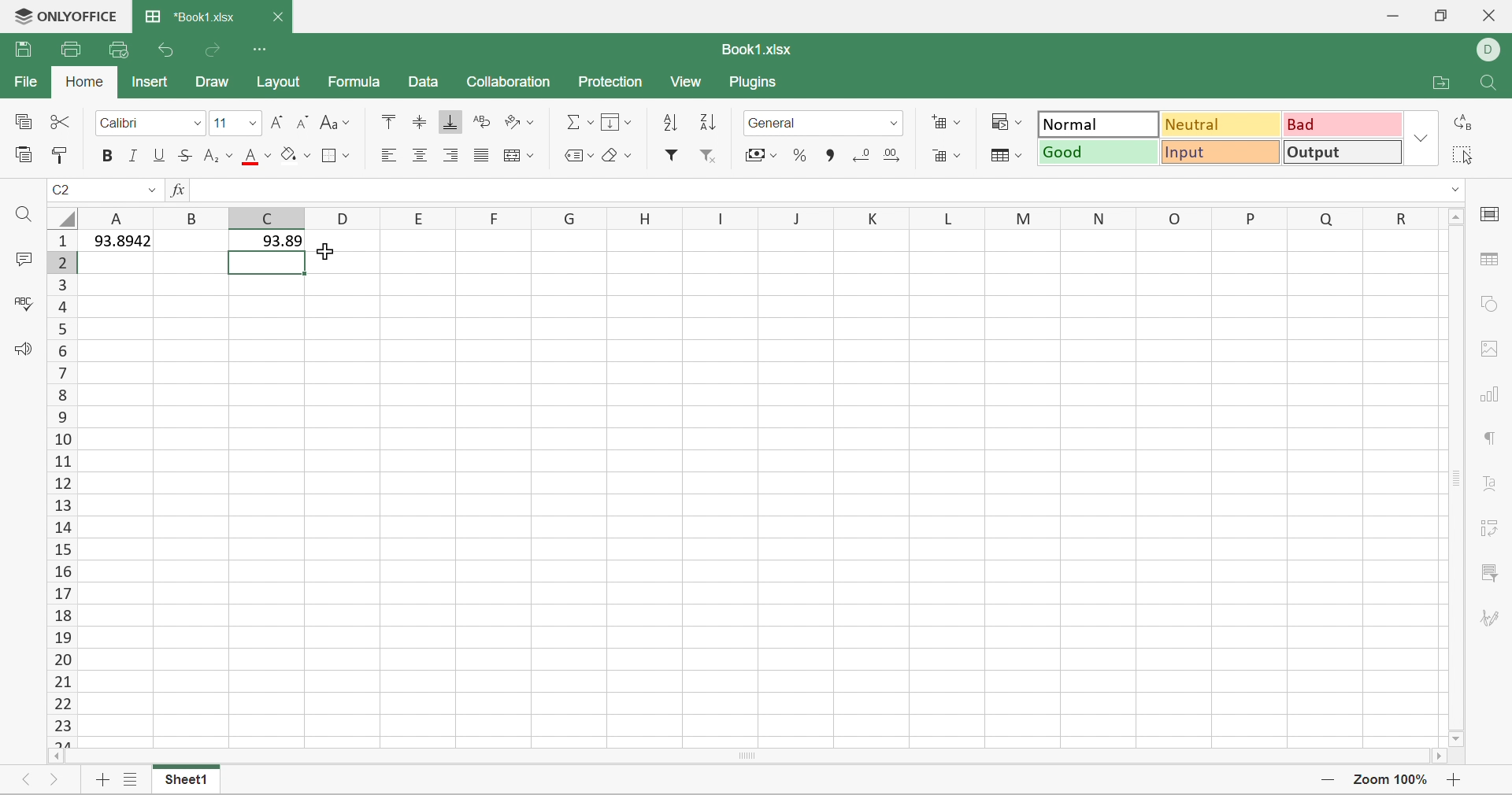 This screenshot has width=1512, height=795. What do you see at coordinates (1483, 83) in the screenshot?
I see `Find` at bounding box center [1483, 83].